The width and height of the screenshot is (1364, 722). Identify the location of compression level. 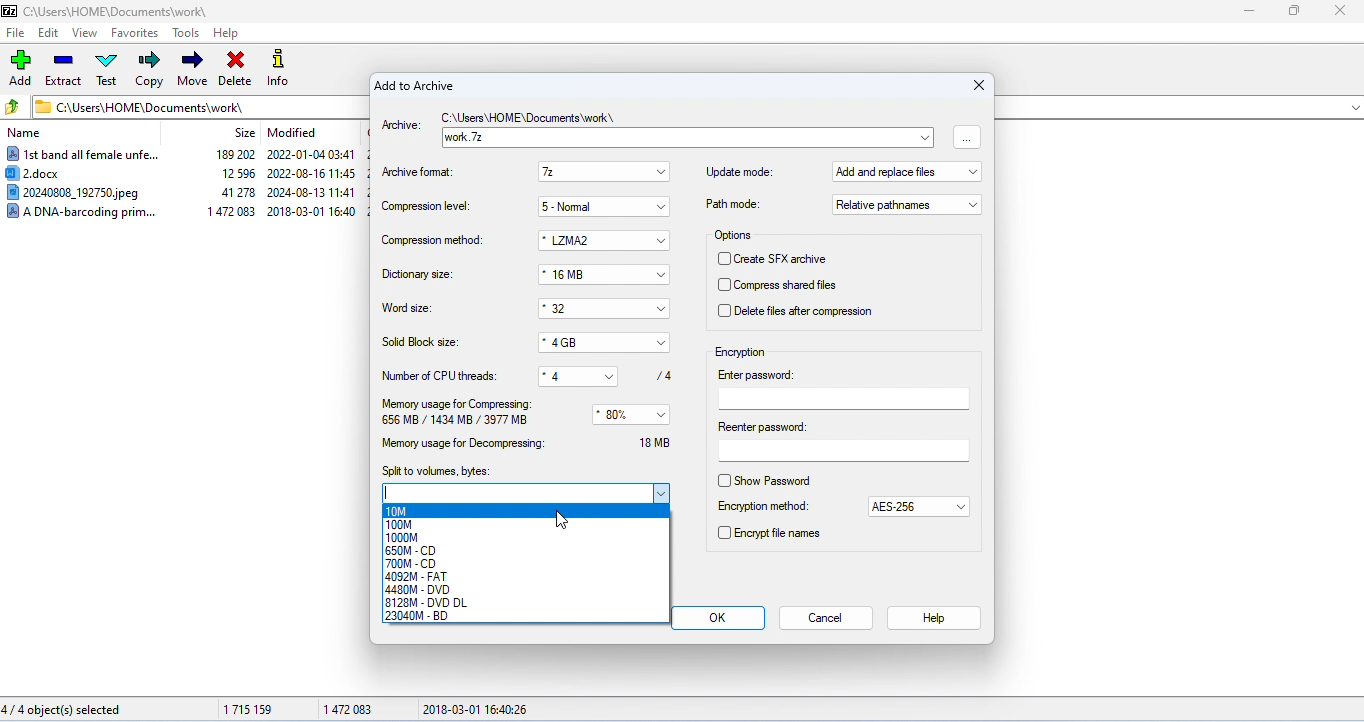
(427, 207).